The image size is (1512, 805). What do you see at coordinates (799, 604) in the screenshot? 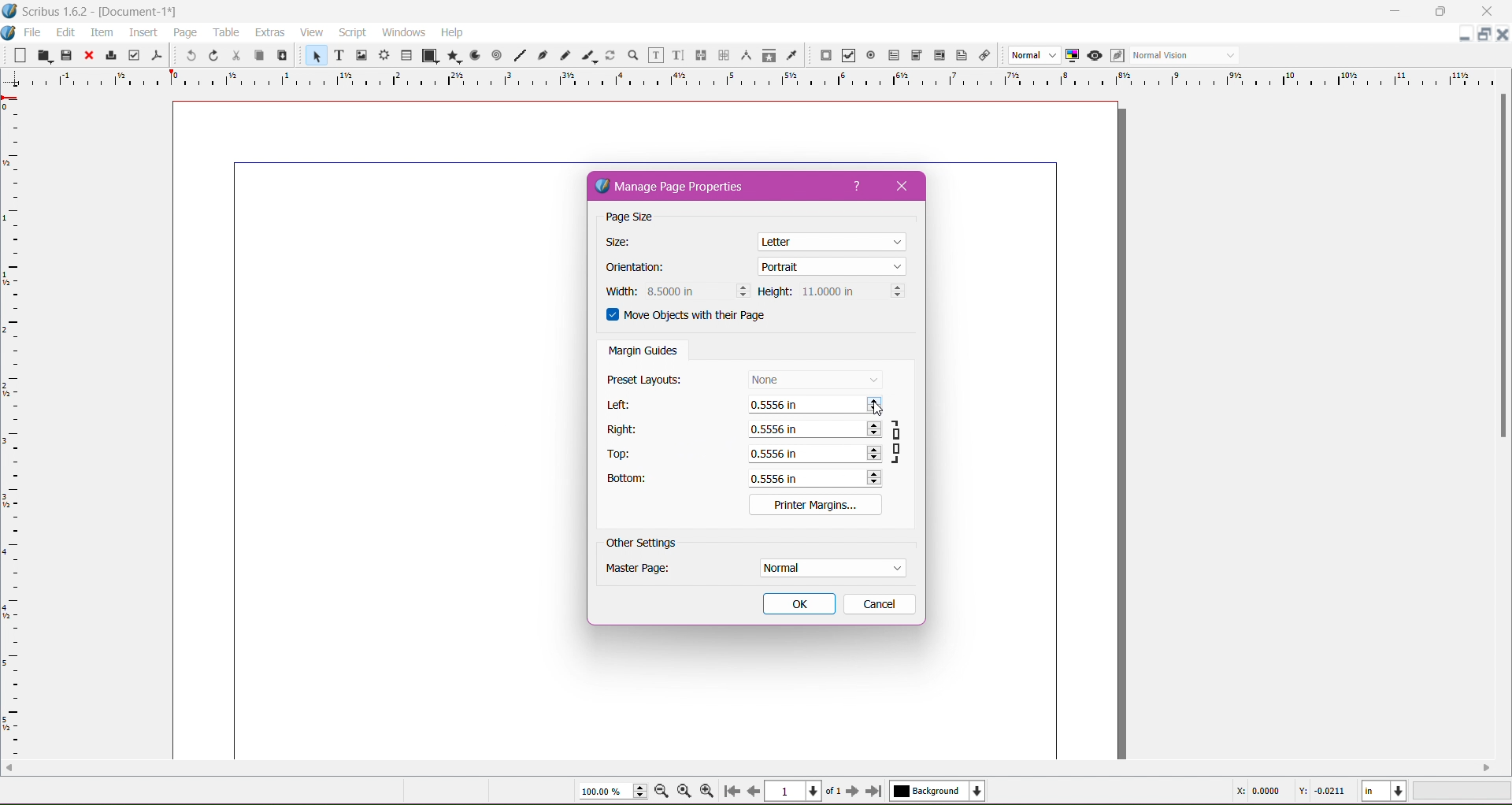
I see `OK` at bounding box center [799, 604].